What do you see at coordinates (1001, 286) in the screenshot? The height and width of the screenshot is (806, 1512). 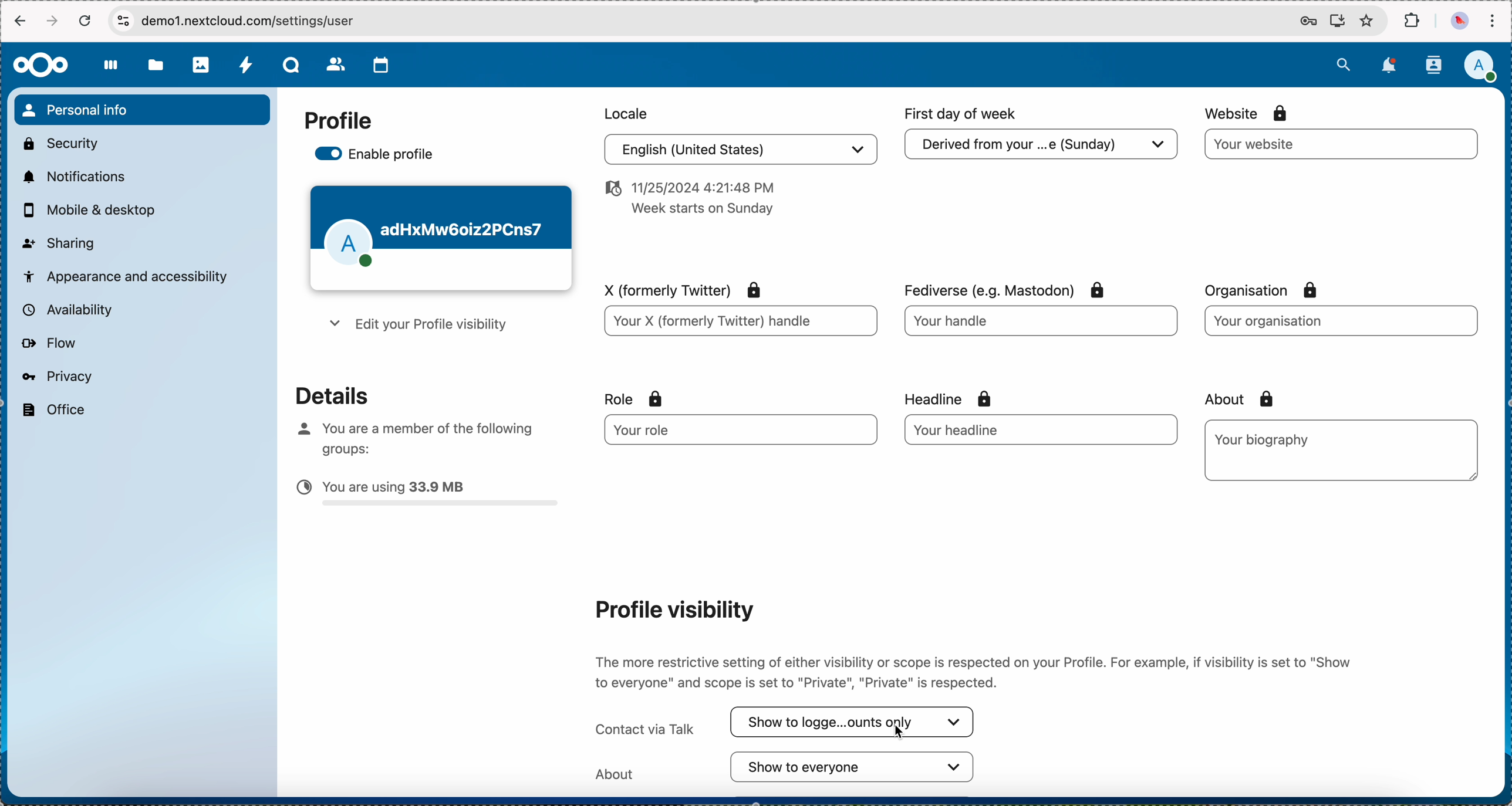 I see `fediverse` at bounding box center [1001, 286].